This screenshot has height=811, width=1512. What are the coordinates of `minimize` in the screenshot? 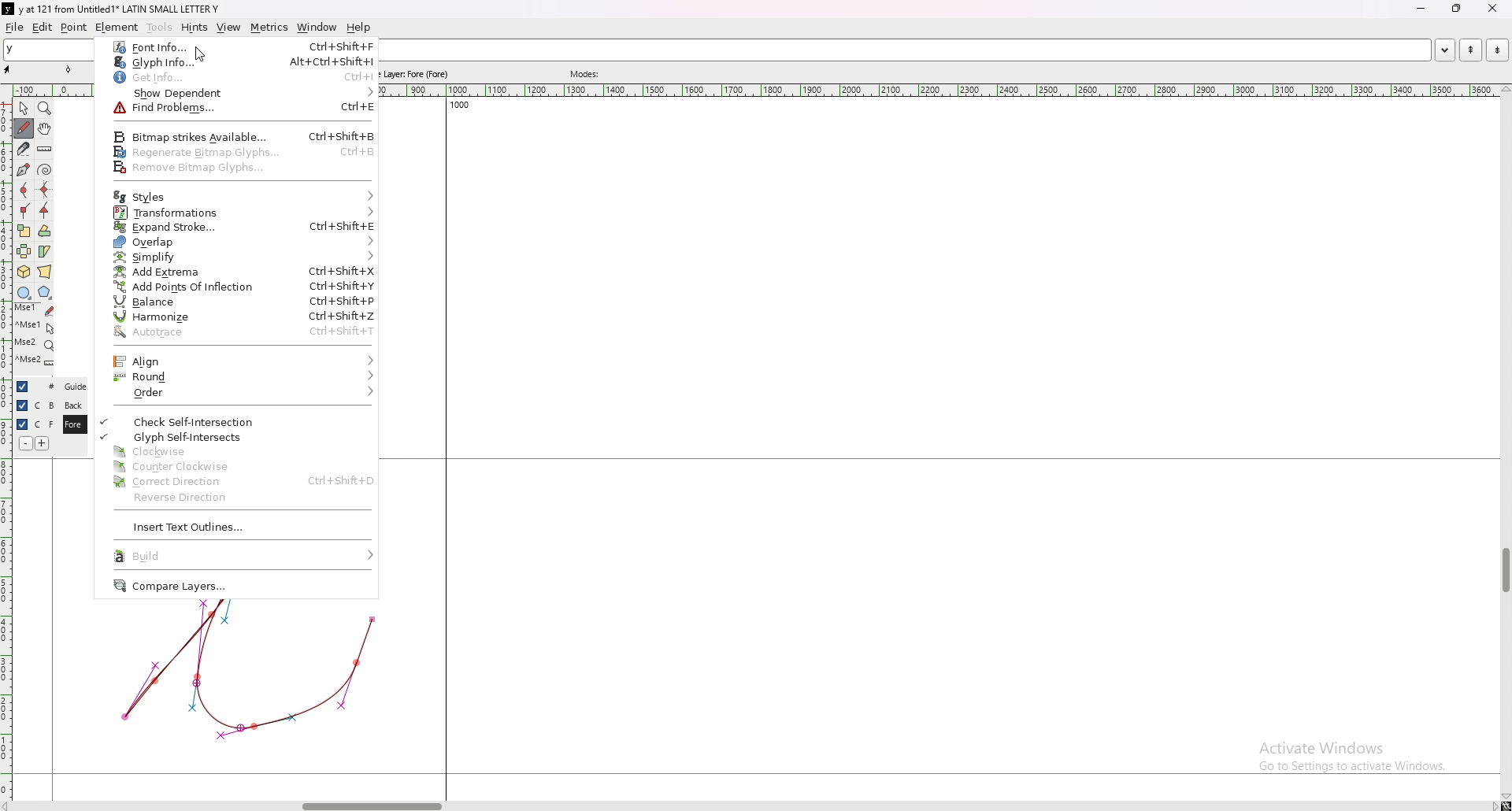 It's located at (1423, 9).